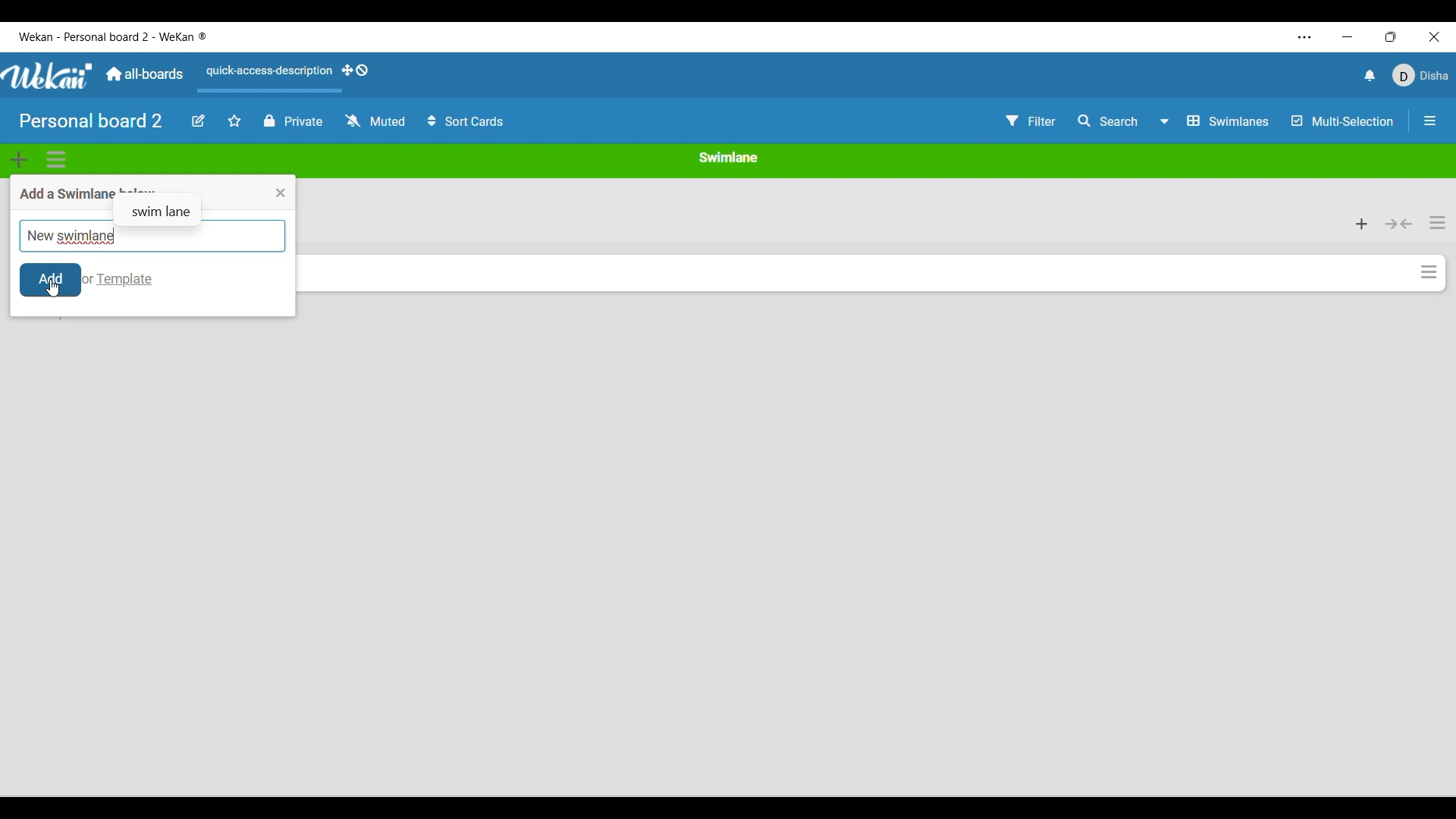  I want to click on Title of current setting window, so click(62, 193).